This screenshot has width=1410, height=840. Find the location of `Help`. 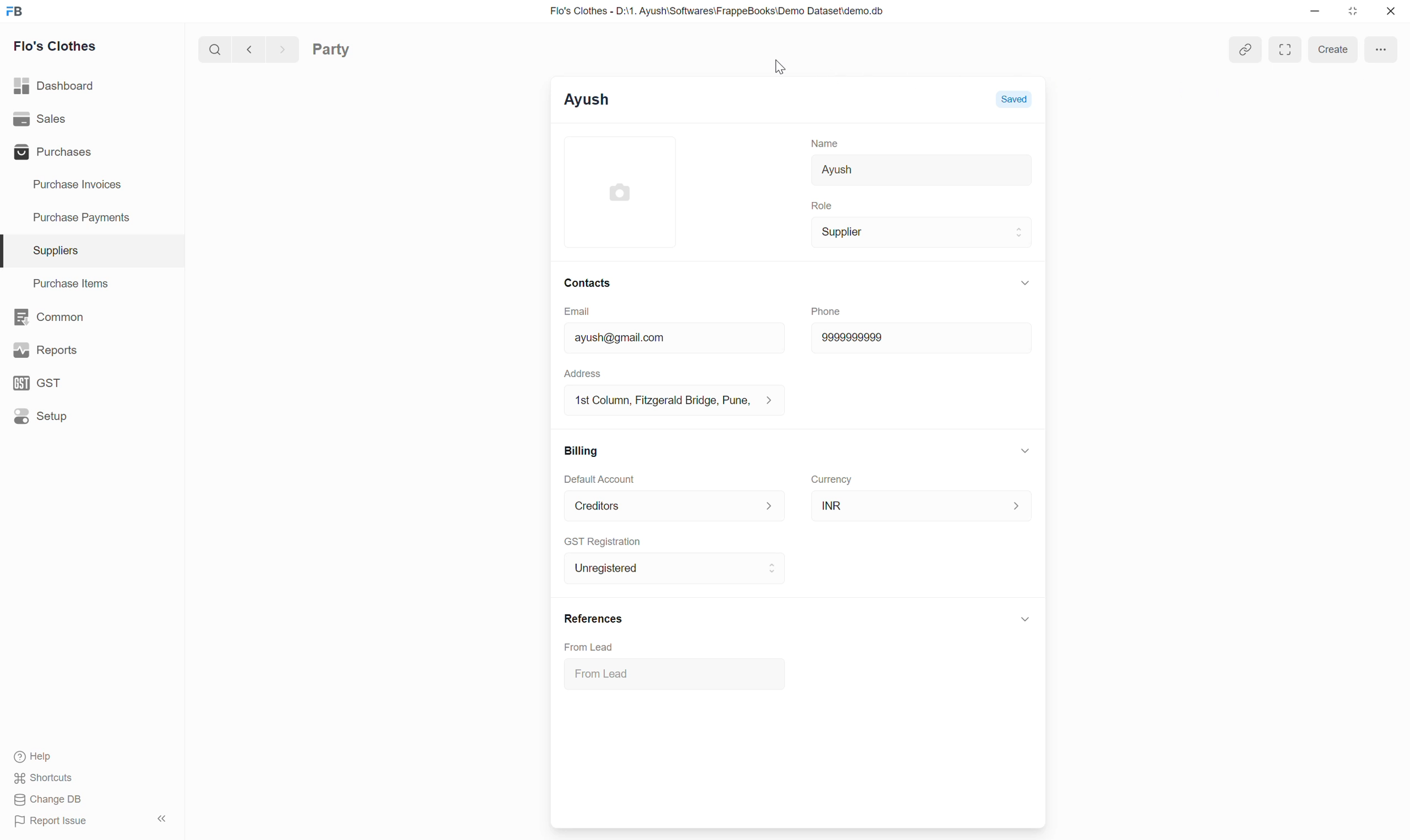

Help is located at coordinates (44, 757).